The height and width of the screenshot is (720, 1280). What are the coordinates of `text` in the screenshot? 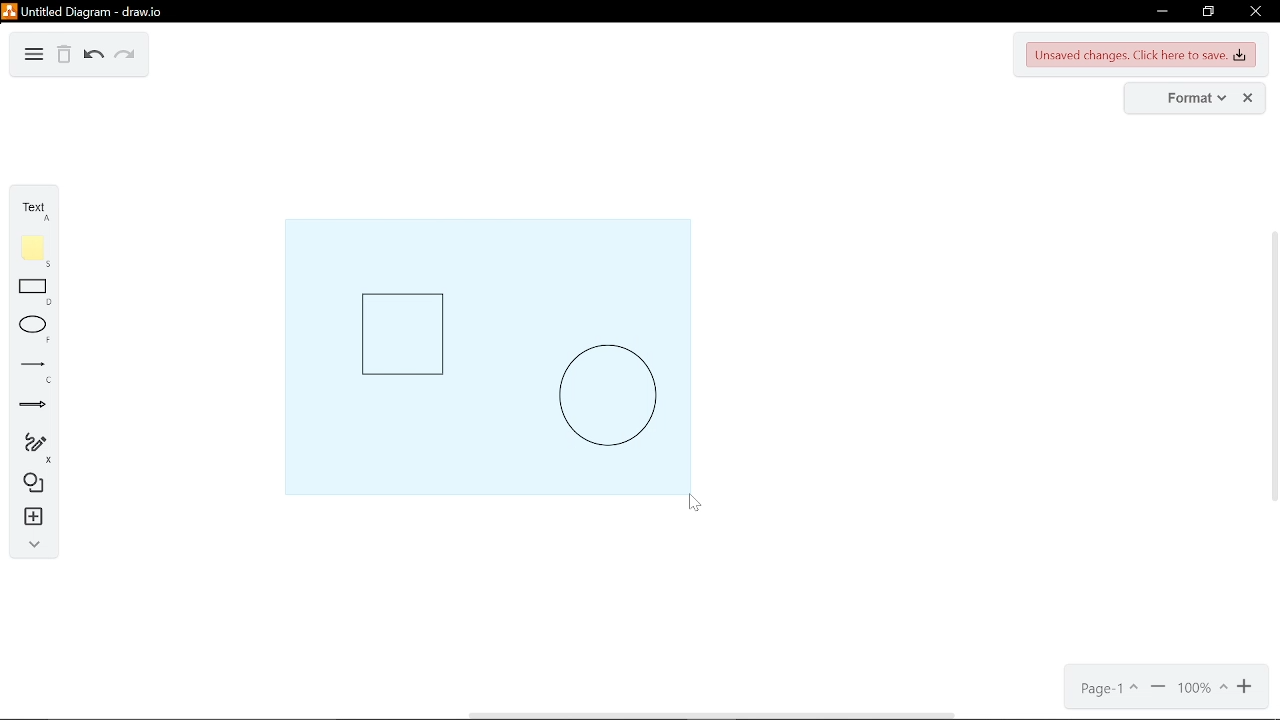 It's located at (33, 209).